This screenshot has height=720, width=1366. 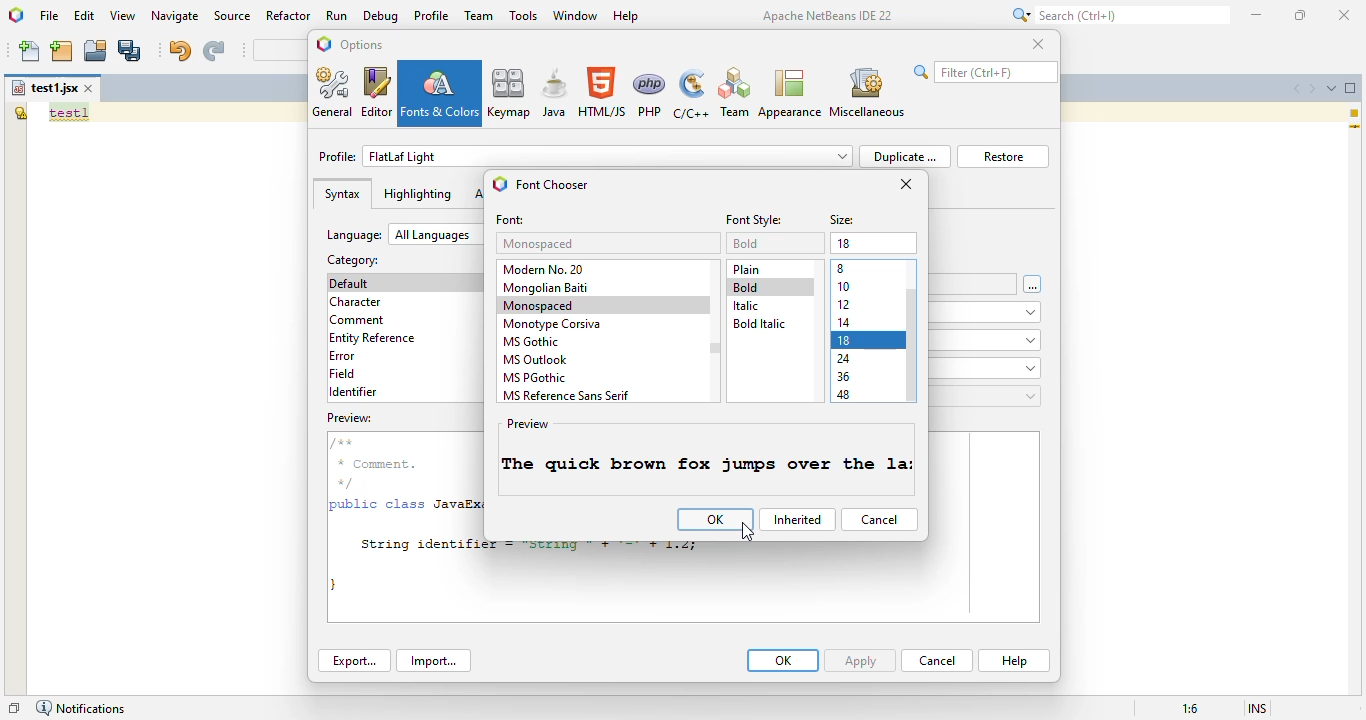 What do you see at coordinates (20, 112) in the screenshot?
I see `the global variable "test1" is not declared.` at bounding box center [20, 112].